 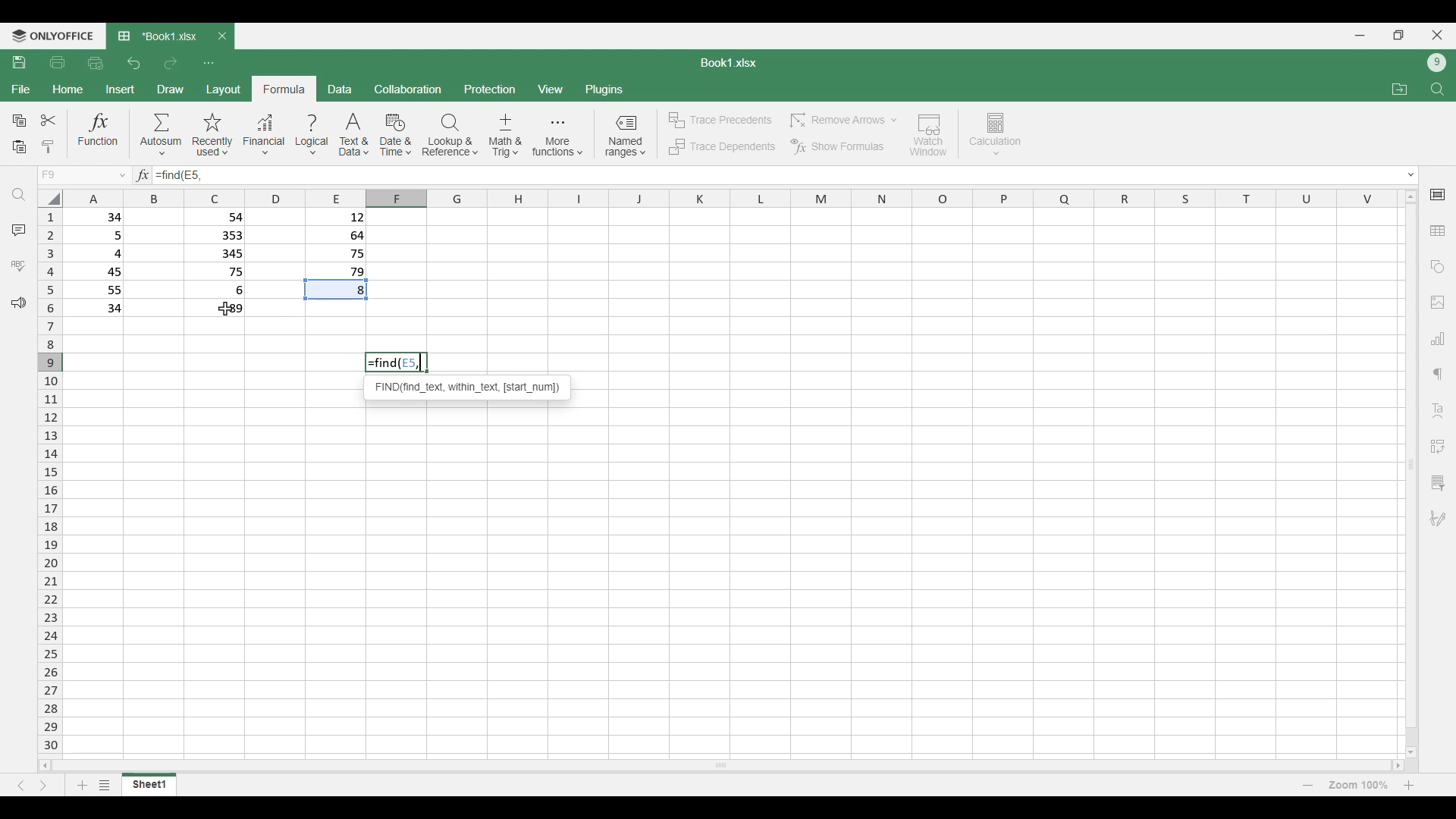 What do you see at coordinates (135, 63) in the screenshot?
I see `Undo` at bounding box center [135, 63].